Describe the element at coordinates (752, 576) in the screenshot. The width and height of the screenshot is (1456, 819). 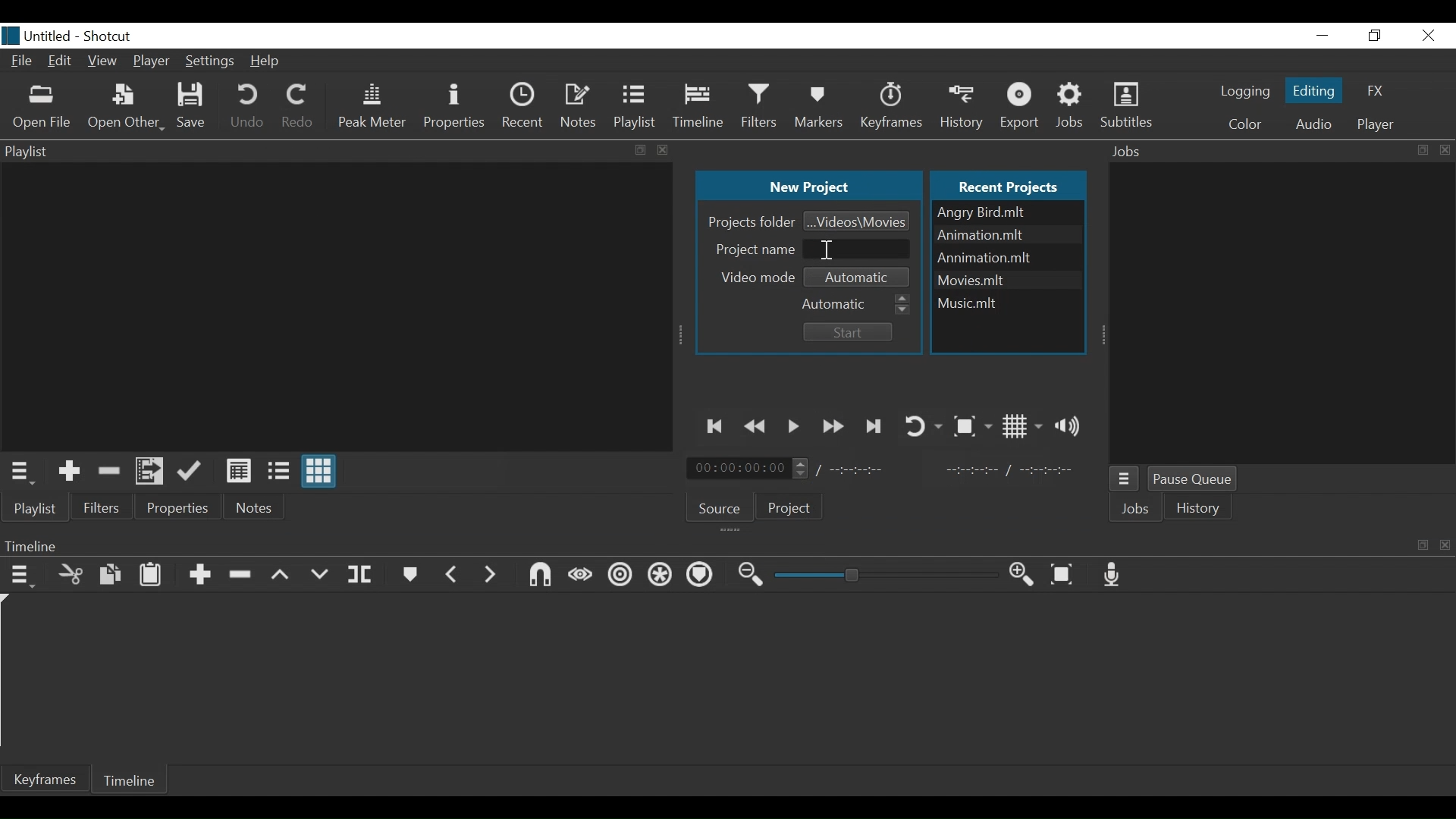
I see `Zoom timeline out` at that location.